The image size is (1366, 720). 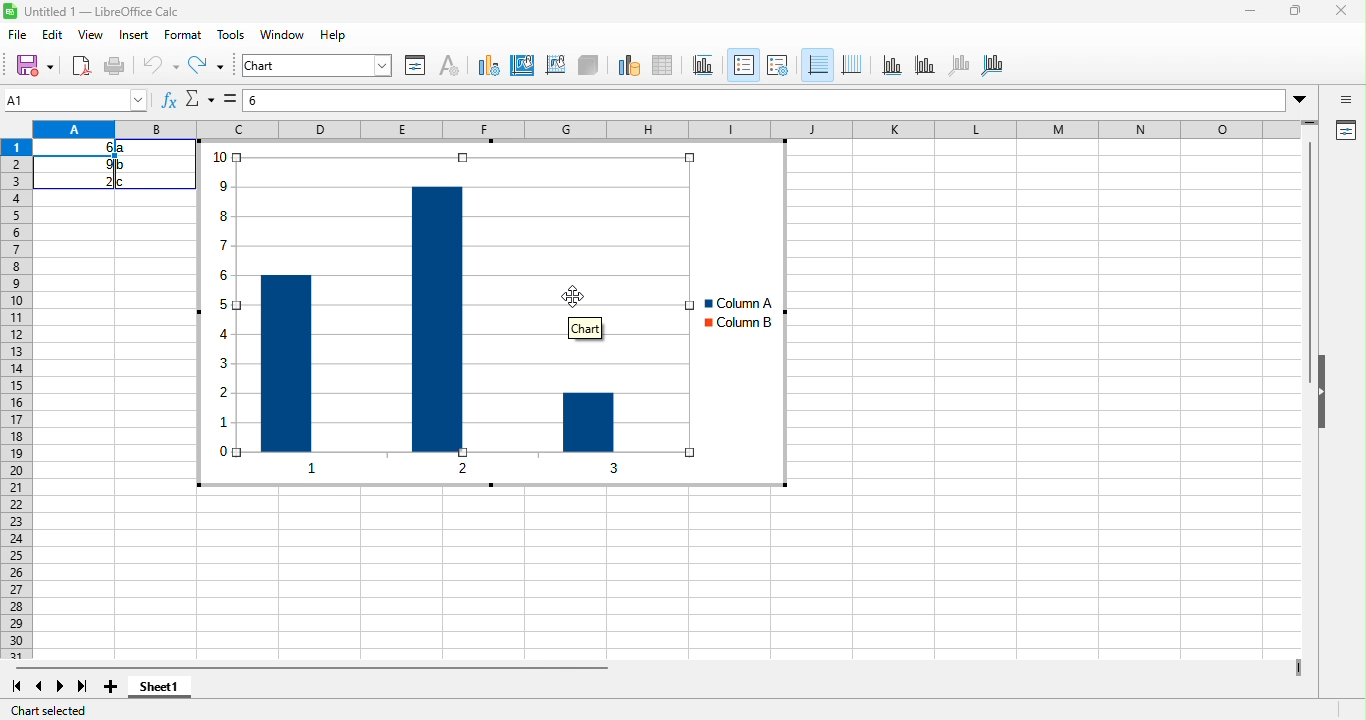 What do you see at coordinates (1328, 415) in the screenshot?
I see `hide` at bounding box center [1328, 415].